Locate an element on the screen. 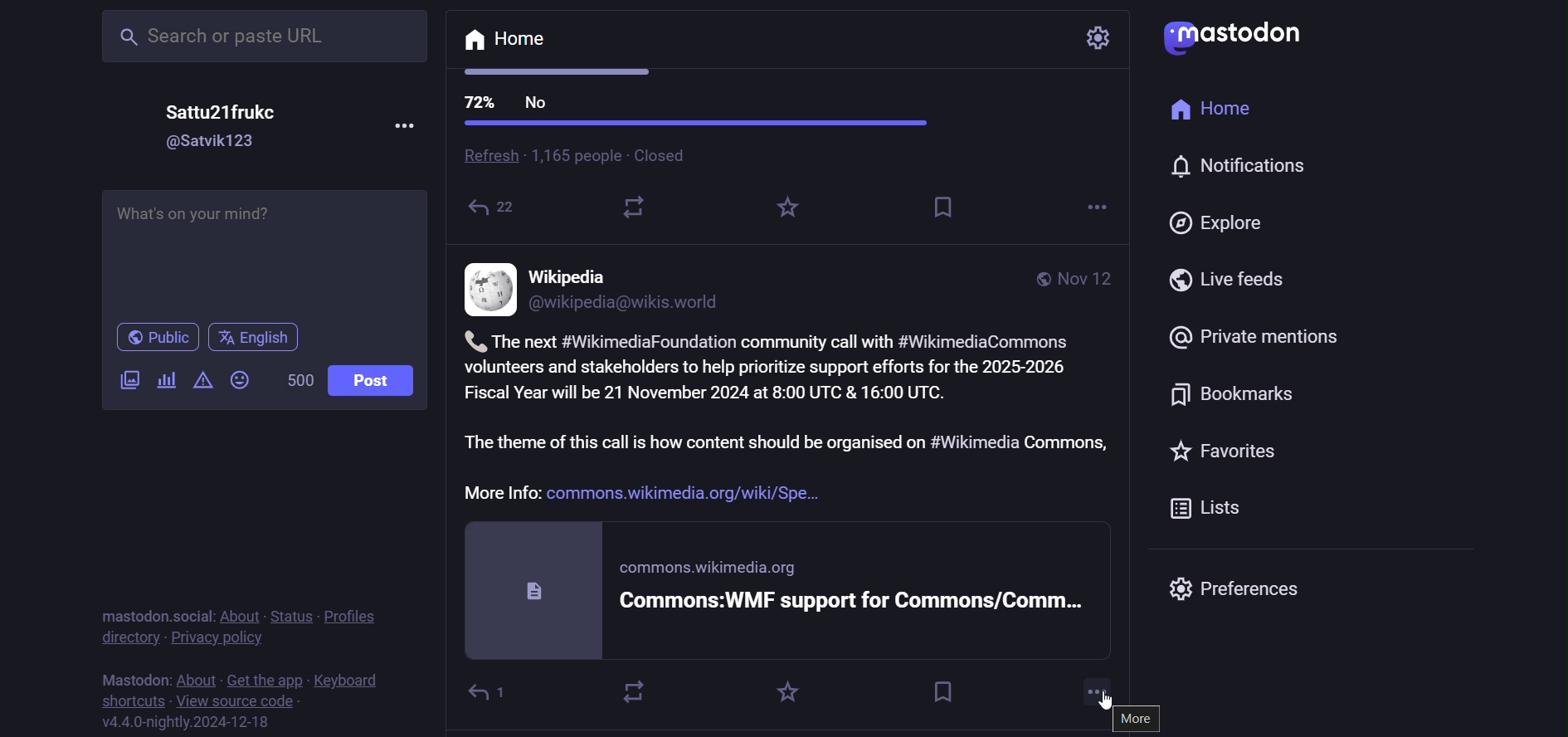 The width and height of the screenshot is (1568, 737). about is located at coordinates (194, 677).